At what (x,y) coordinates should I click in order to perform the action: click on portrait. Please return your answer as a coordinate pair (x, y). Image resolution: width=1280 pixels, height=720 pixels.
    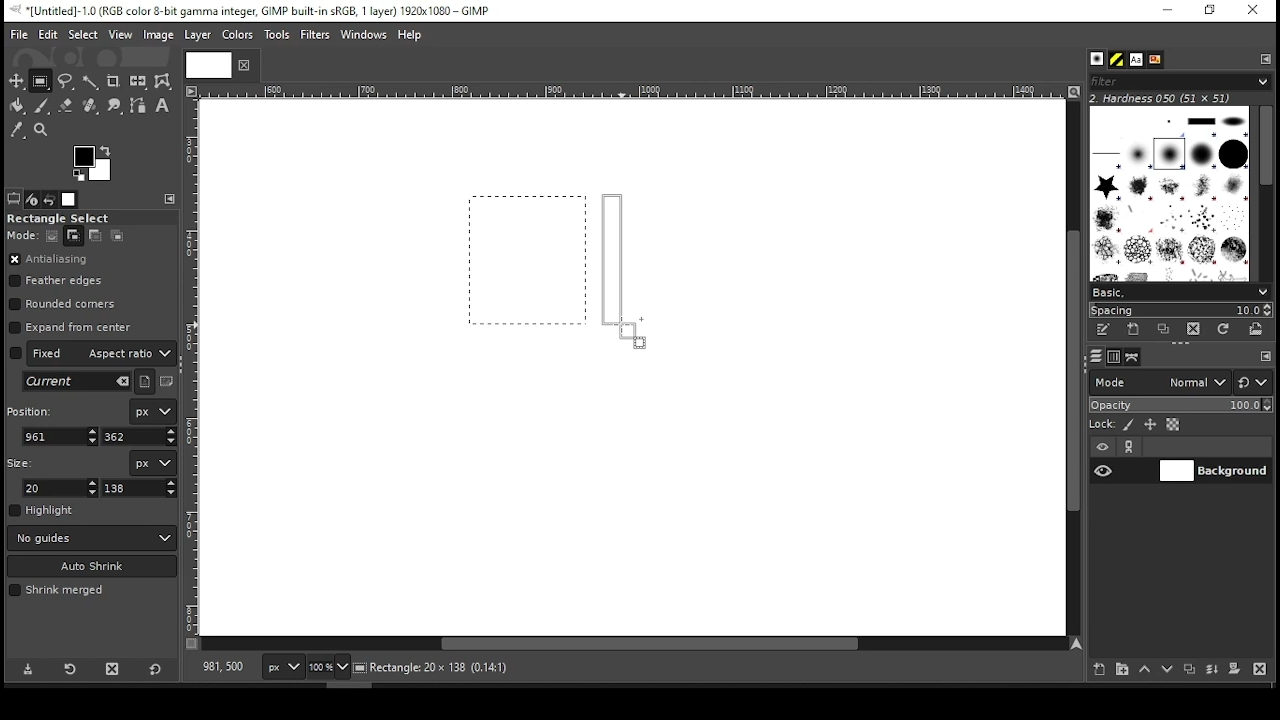
    Looking at the image, I should click on (146, 381).